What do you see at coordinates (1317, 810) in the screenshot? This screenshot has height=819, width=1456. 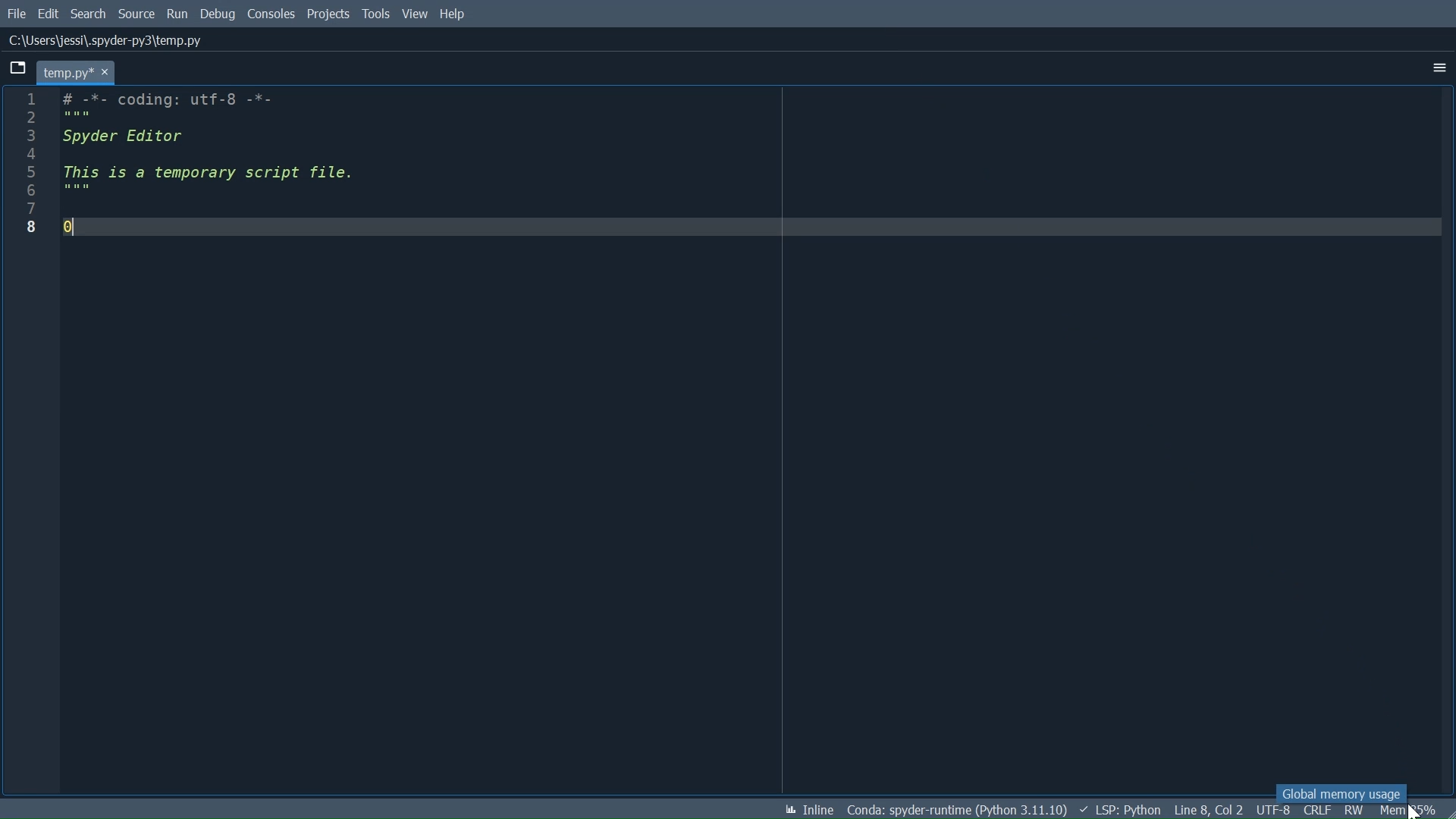 I see `File EQL Status` at bounding box center [1317, 810].